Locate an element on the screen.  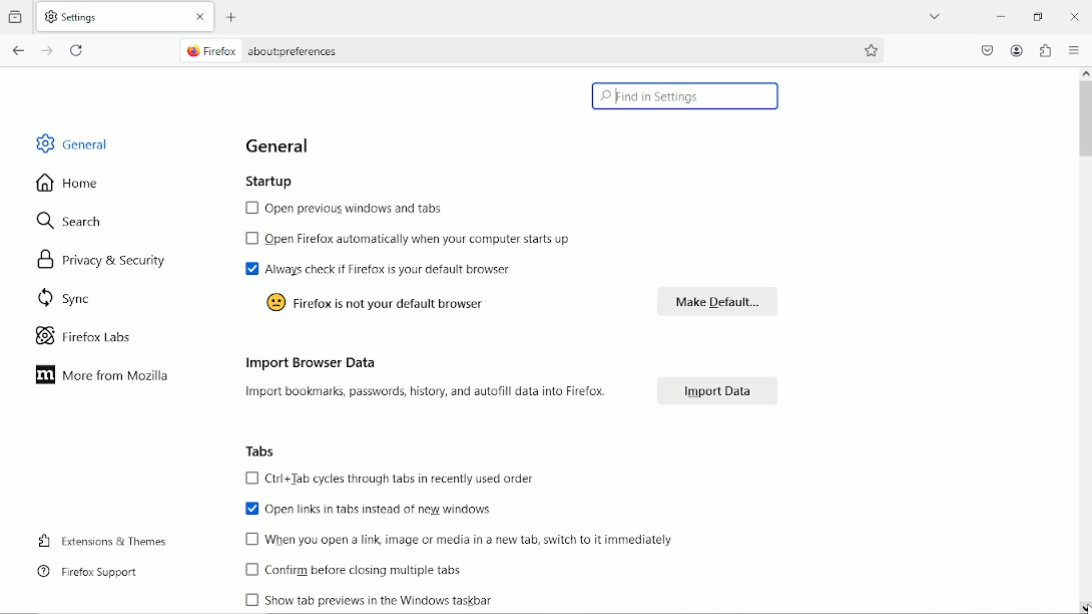
home is located at coordinates (67, 184).